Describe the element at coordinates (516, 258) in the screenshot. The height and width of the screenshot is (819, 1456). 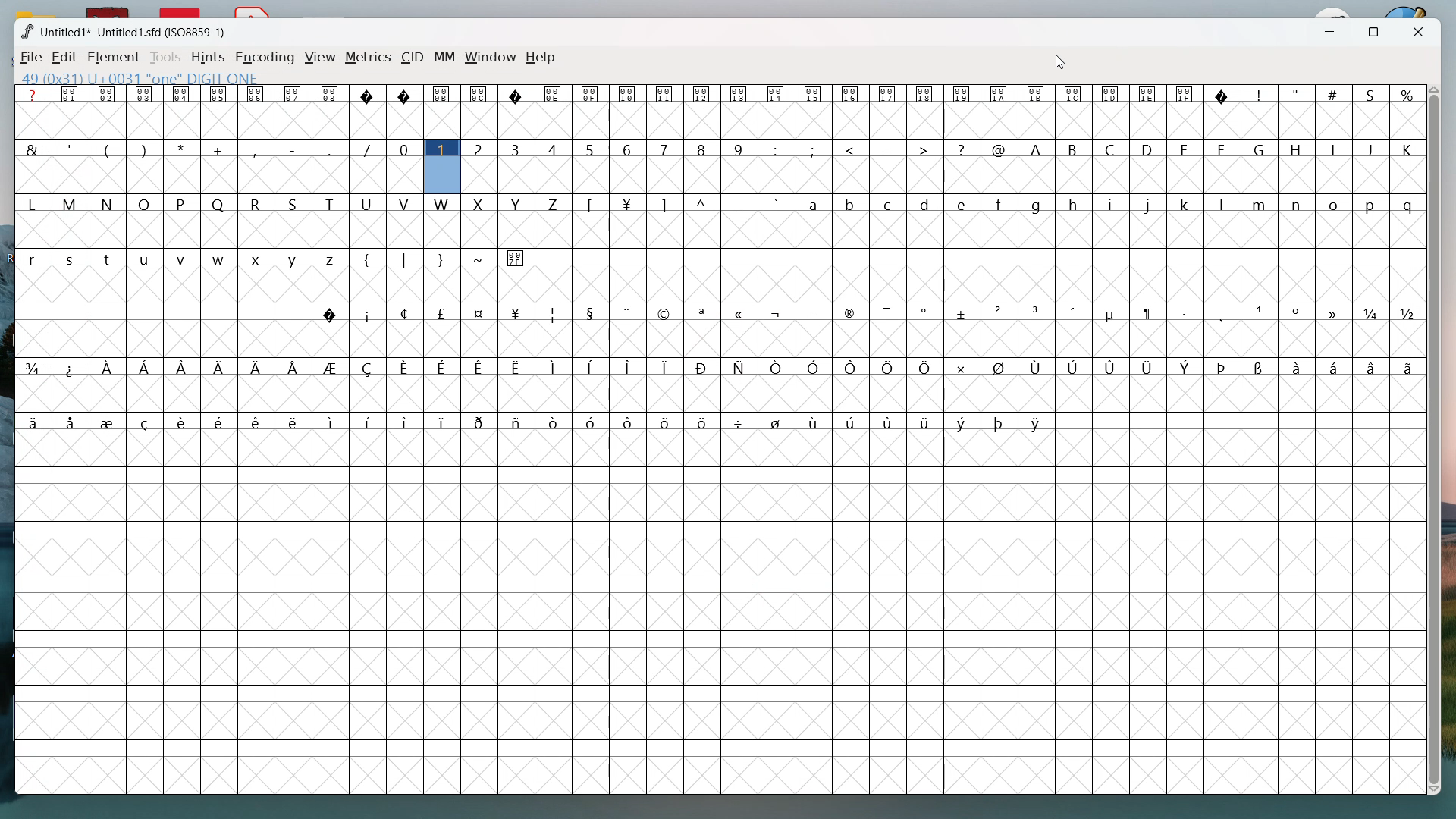
I see `symbol` at that location.